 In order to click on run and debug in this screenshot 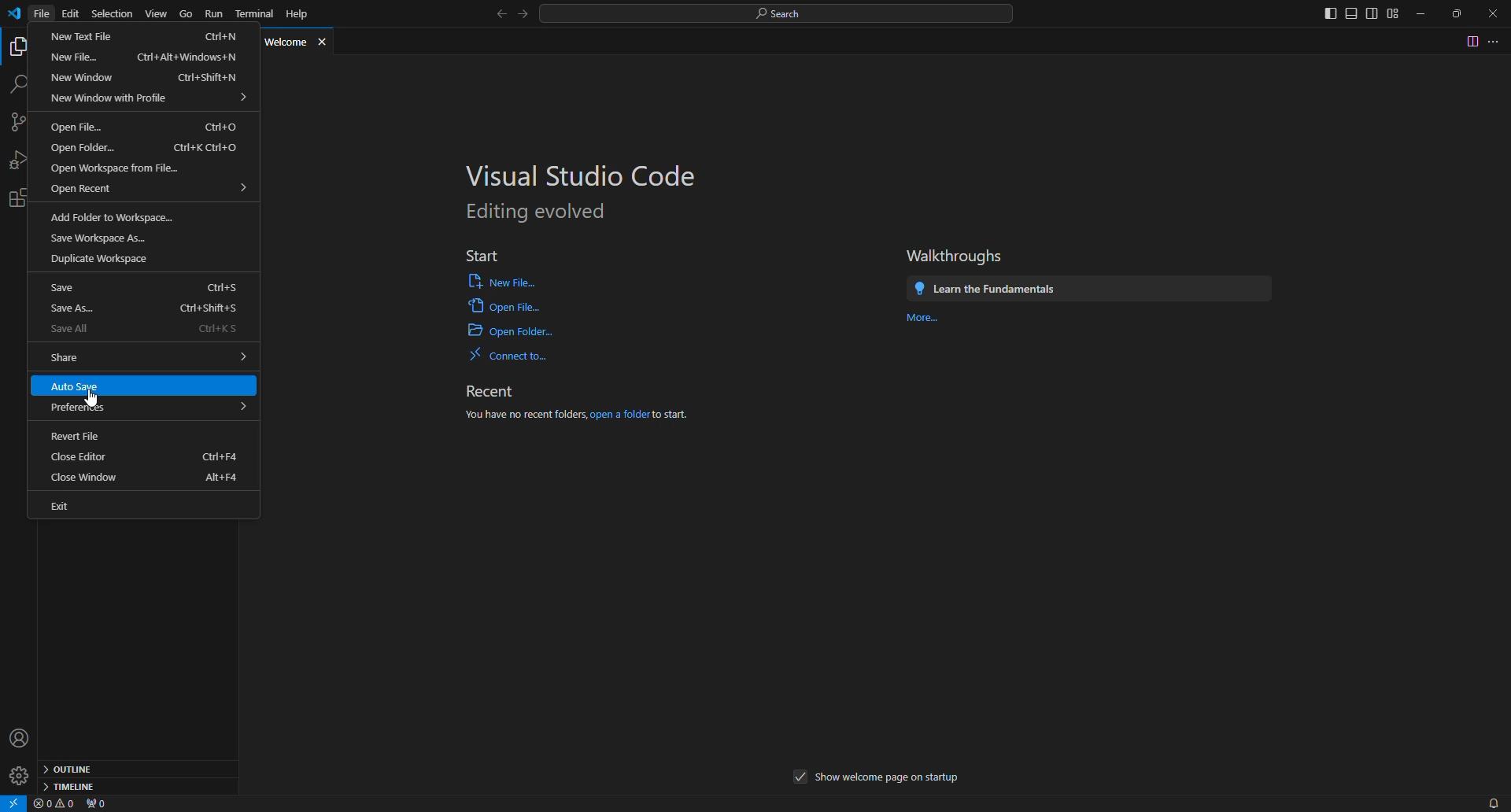, I will do `click(22, 160)`.